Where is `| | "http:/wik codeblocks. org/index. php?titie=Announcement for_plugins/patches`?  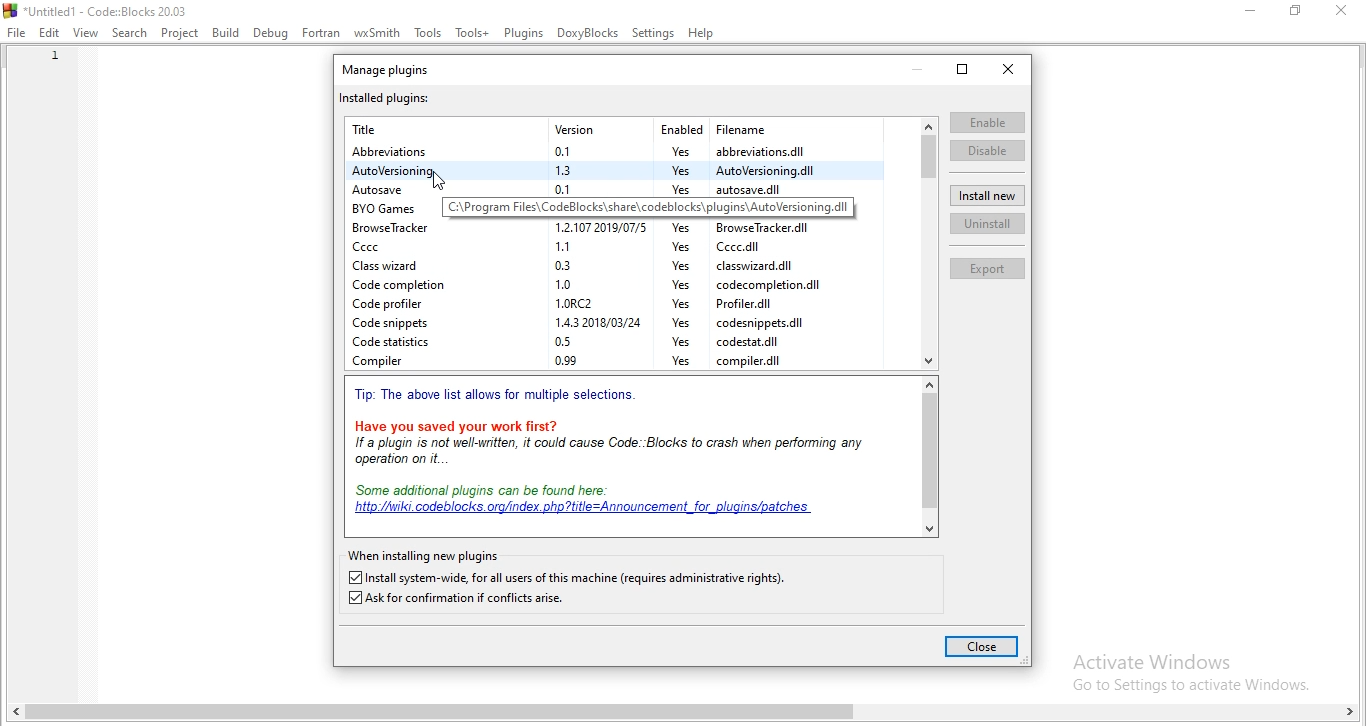 | | "http:/wik codeblocks. org/index. php?titie=Announcement for_plugins/patches is located at coordinates (584, 512).